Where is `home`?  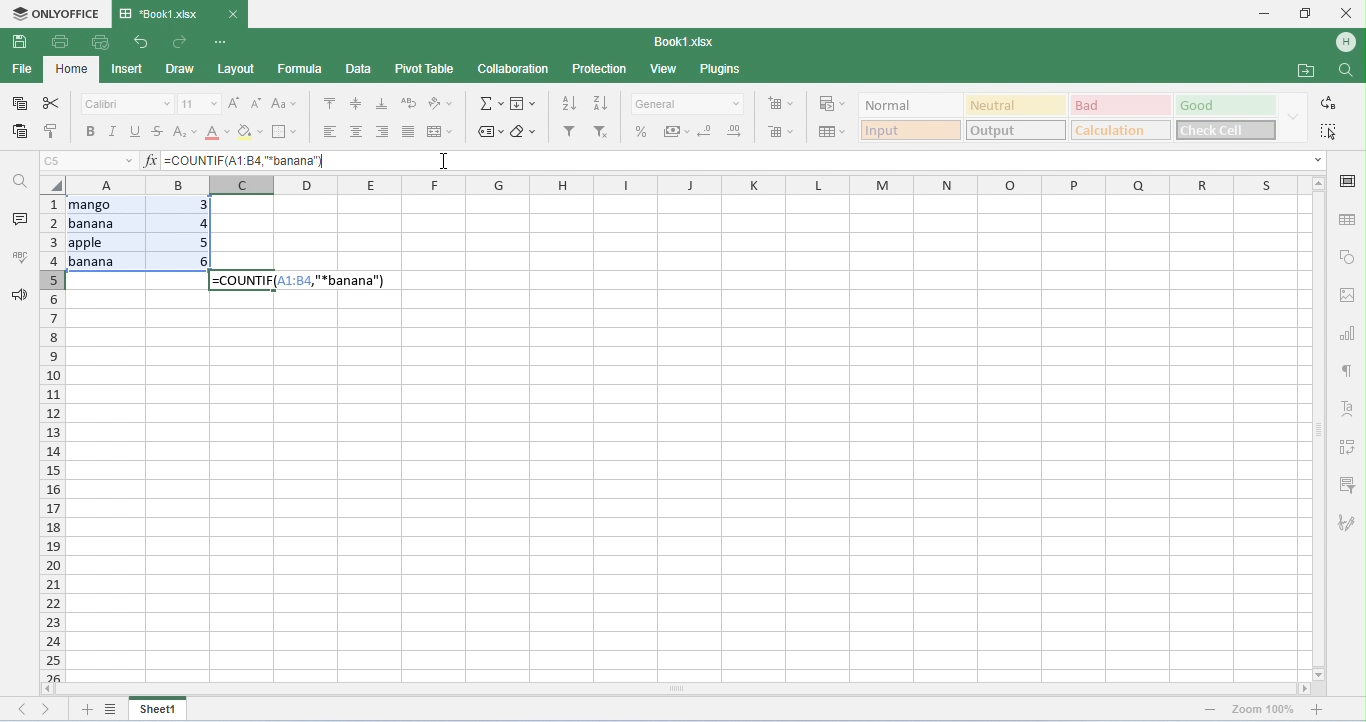 home is located at coordinates (73, 70).